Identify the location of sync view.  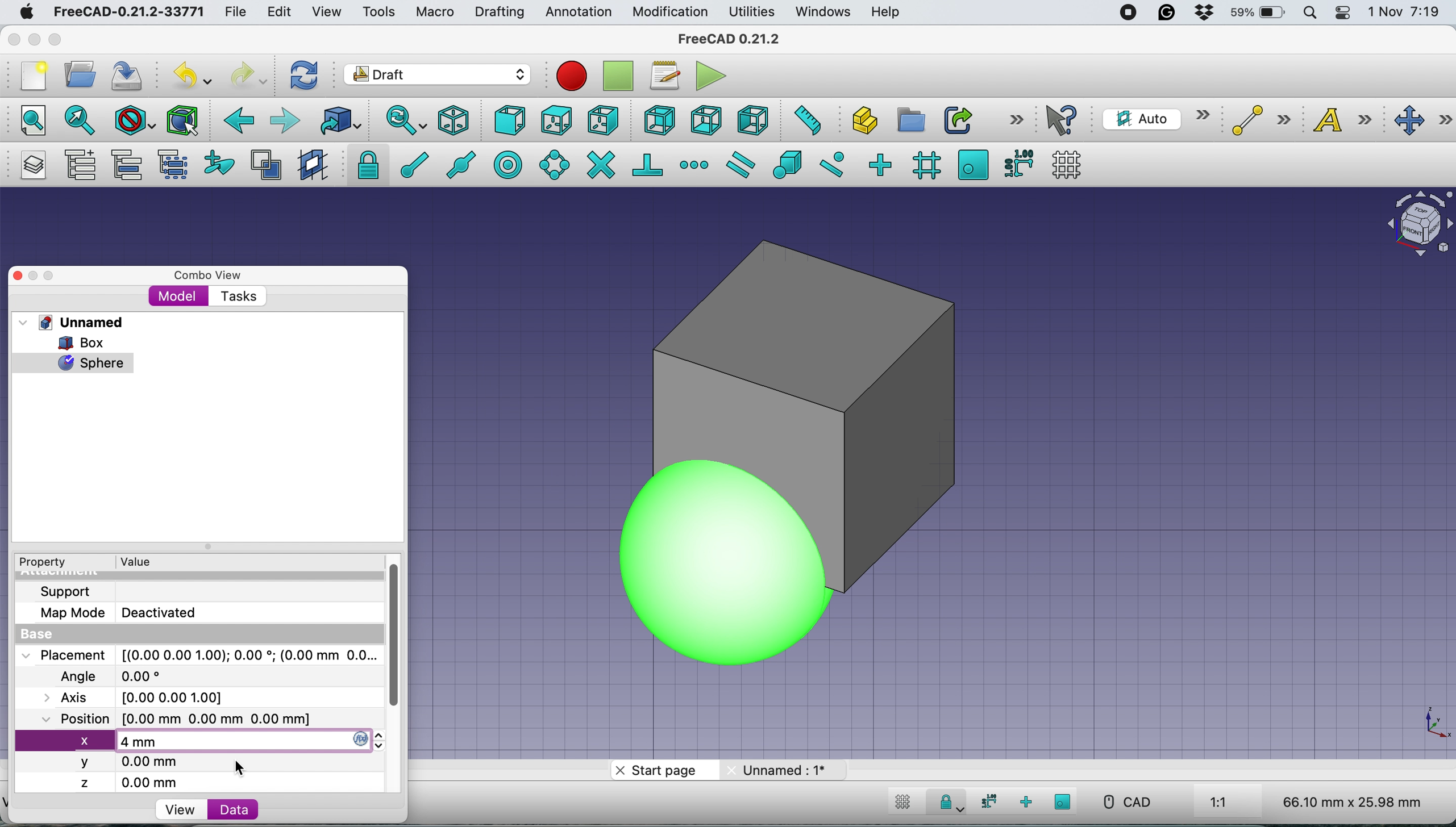
(399, 122).